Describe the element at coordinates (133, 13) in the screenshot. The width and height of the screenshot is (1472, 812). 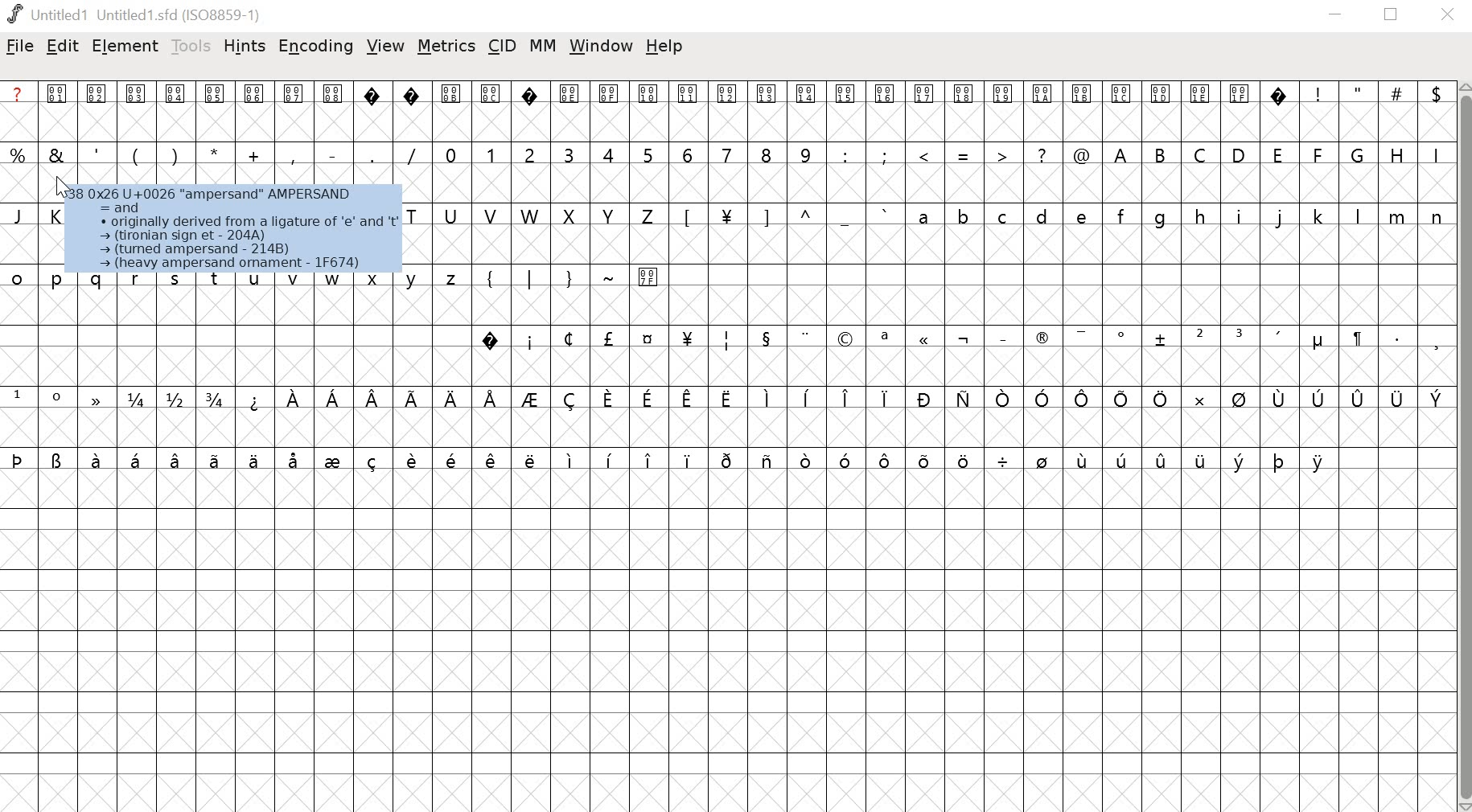
I see `Untitled 1 Untitled1.shd (ISO8859-1)` at that location.